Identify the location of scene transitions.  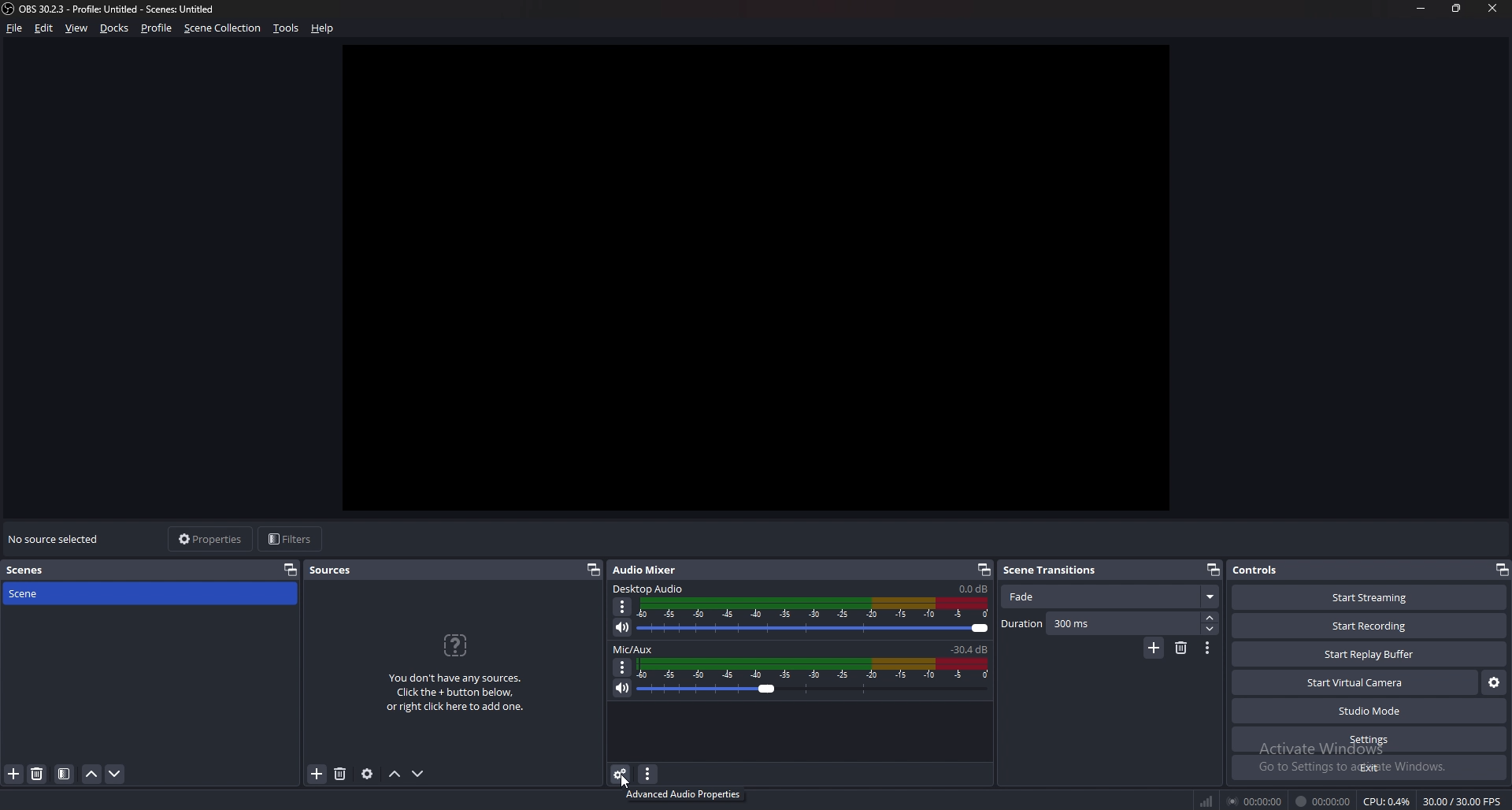
(1054, 570).